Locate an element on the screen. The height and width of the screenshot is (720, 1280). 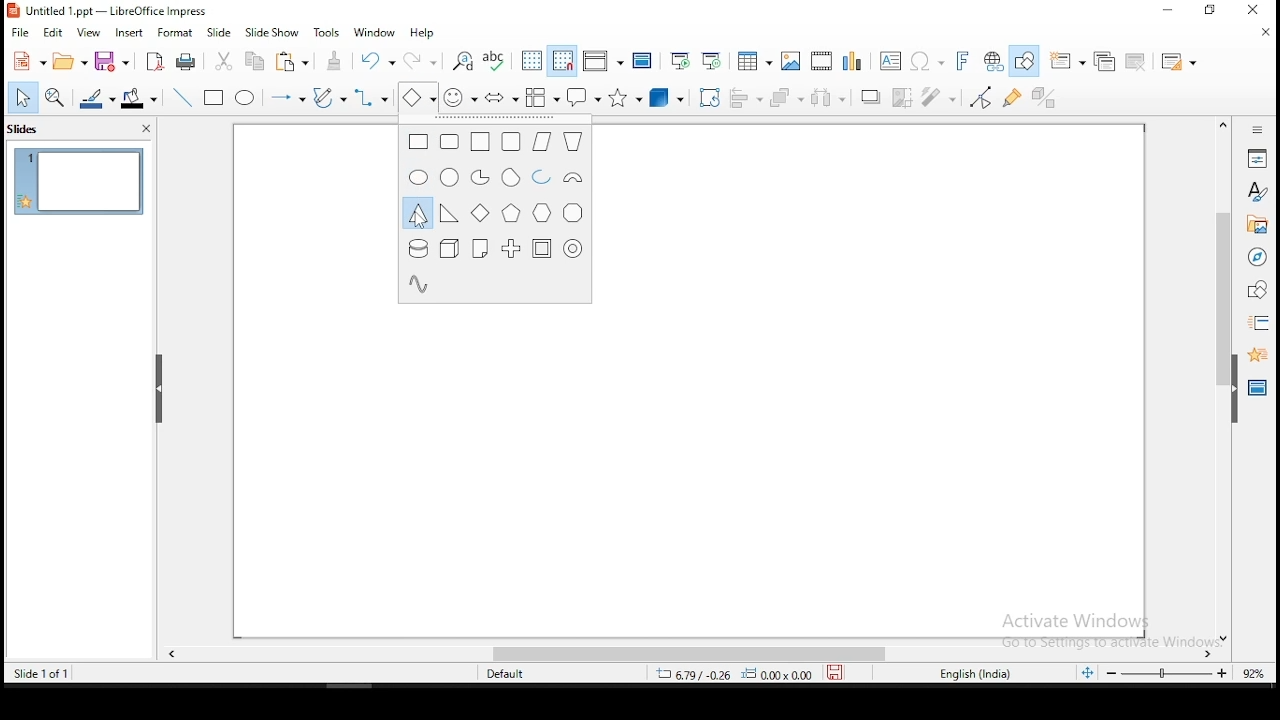
delete slide is located at coordinates (1135, 60).